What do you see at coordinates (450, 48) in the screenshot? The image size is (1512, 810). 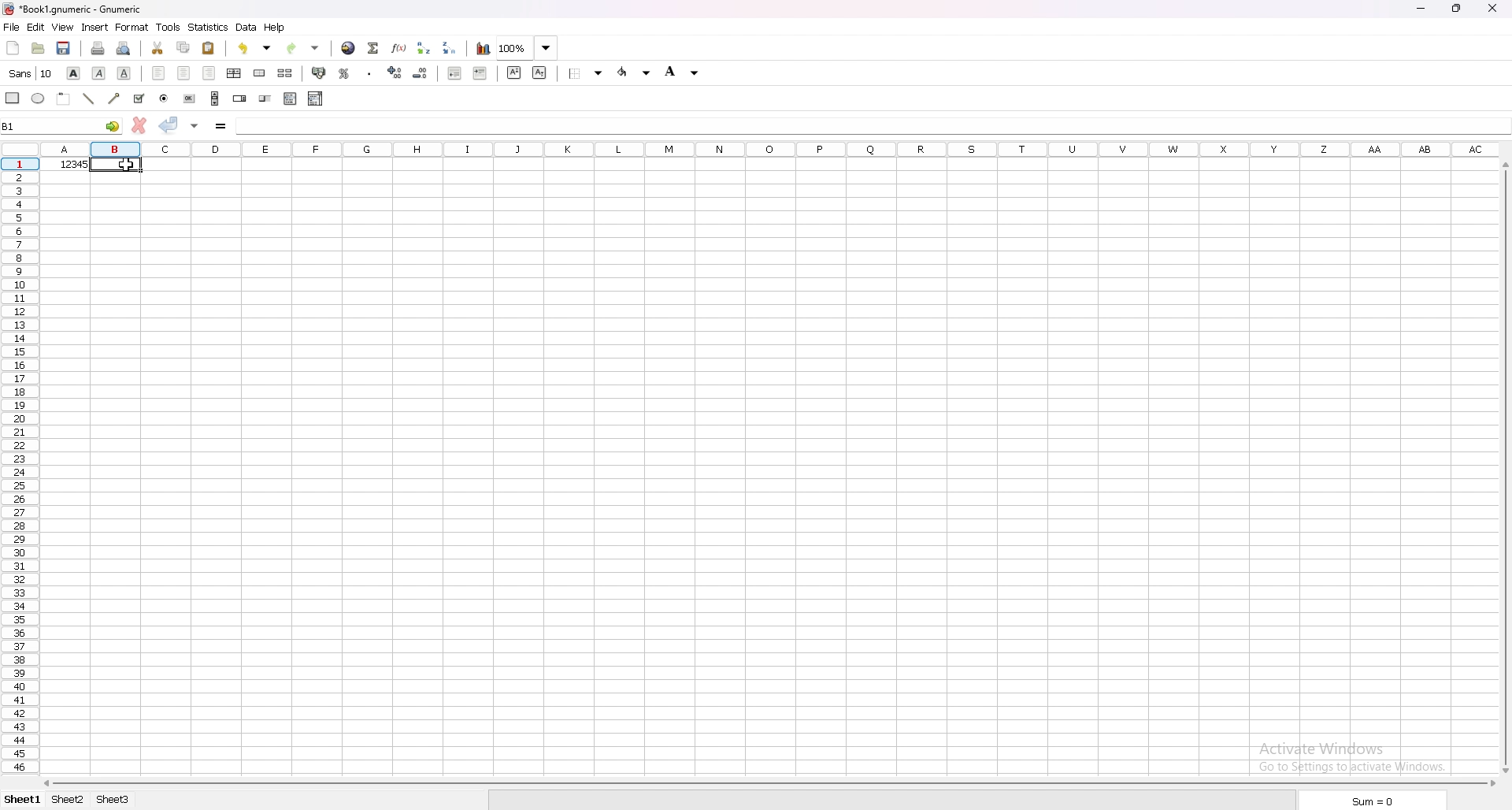 I see `sort descending` at bounding box center [450, 48].